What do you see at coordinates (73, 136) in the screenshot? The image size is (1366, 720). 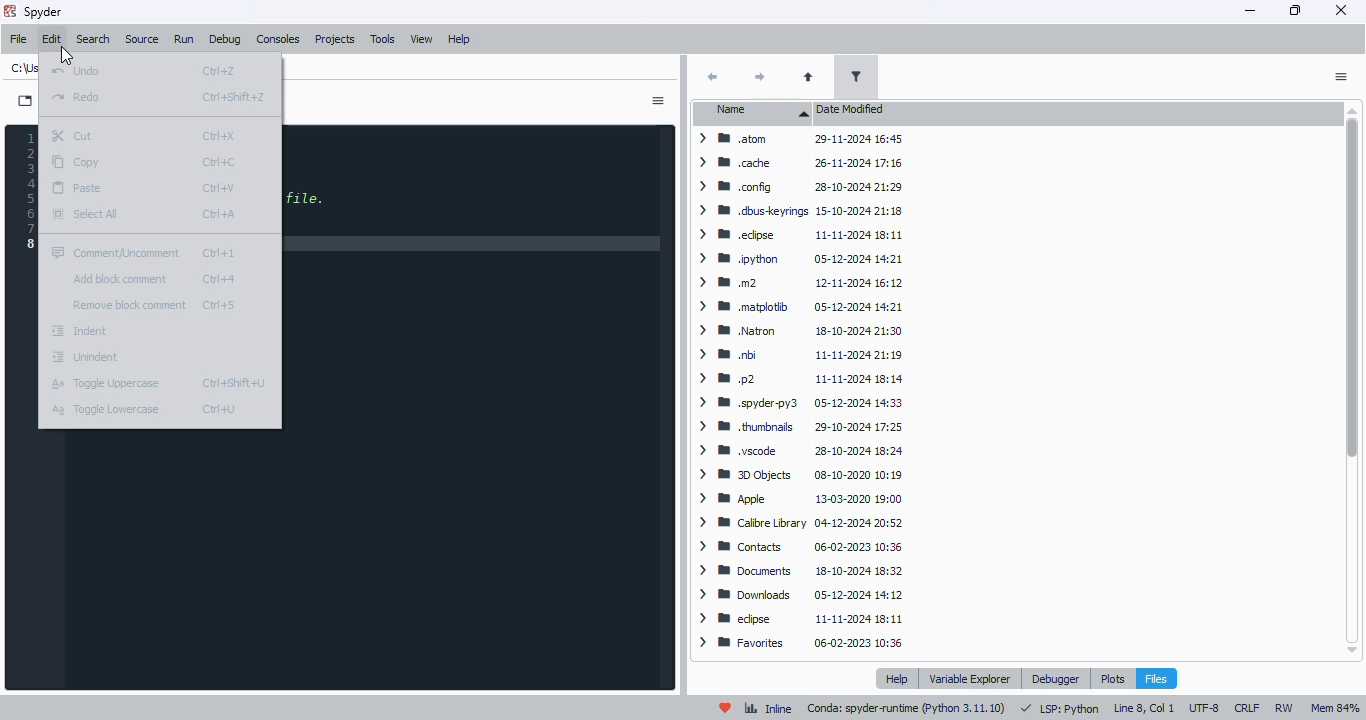 I see `cut` at bounding box center [73, 136].